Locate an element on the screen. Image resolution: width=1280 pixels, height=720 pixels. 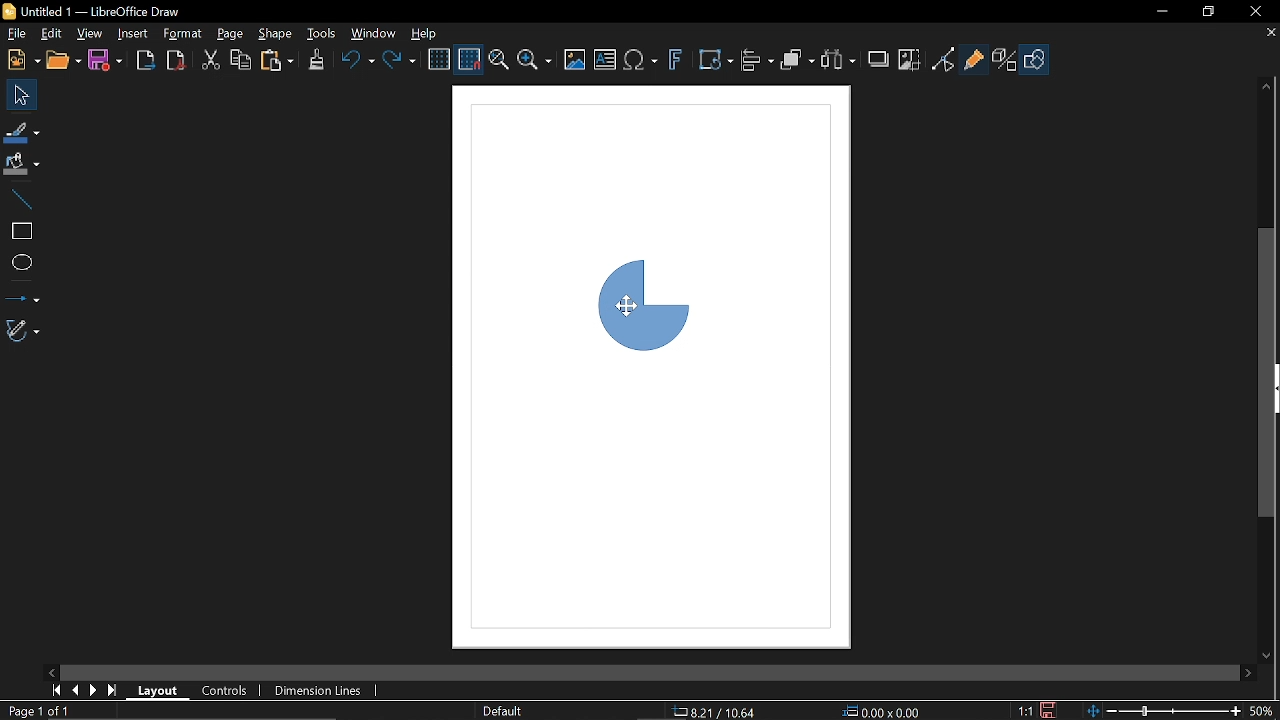
 is located at coordinates (98, 688).